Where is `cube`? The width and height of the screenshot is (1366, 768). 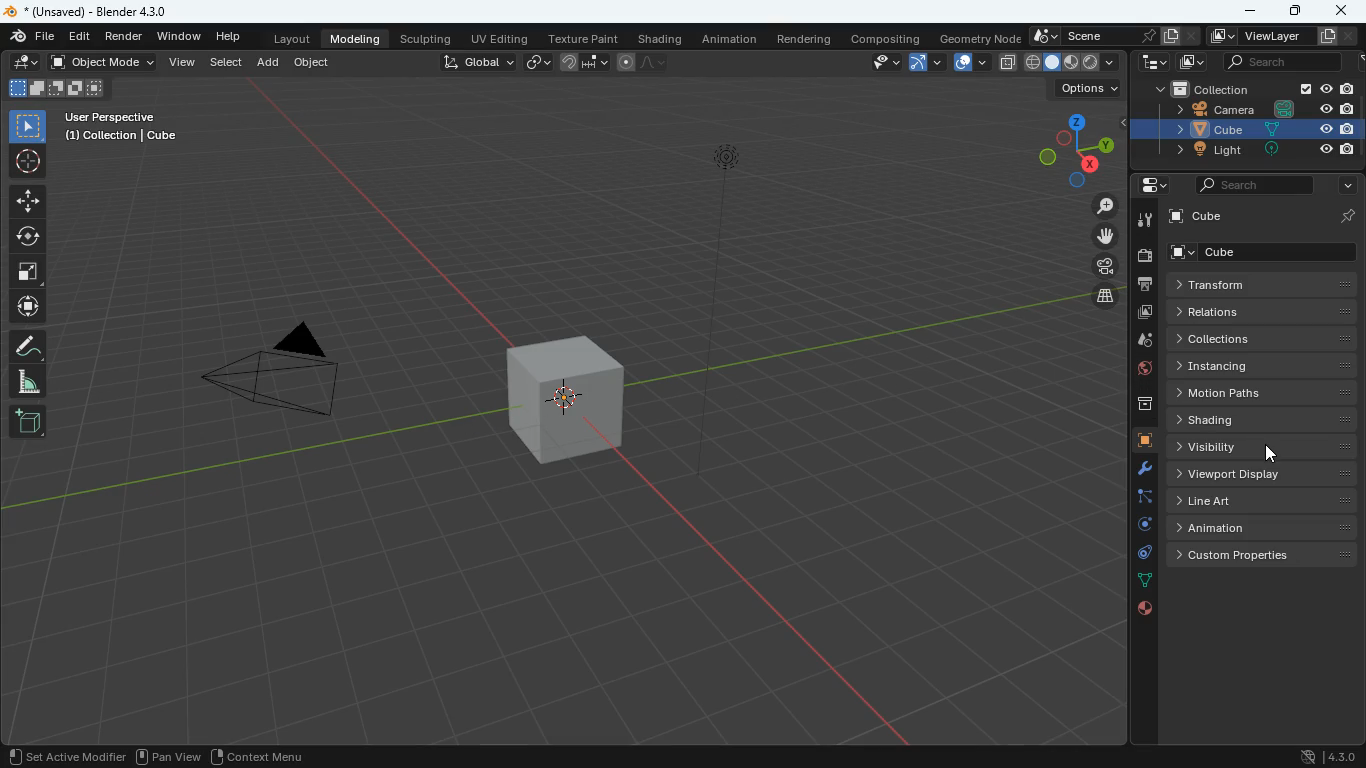 cube is located at coordinates (563, 398).